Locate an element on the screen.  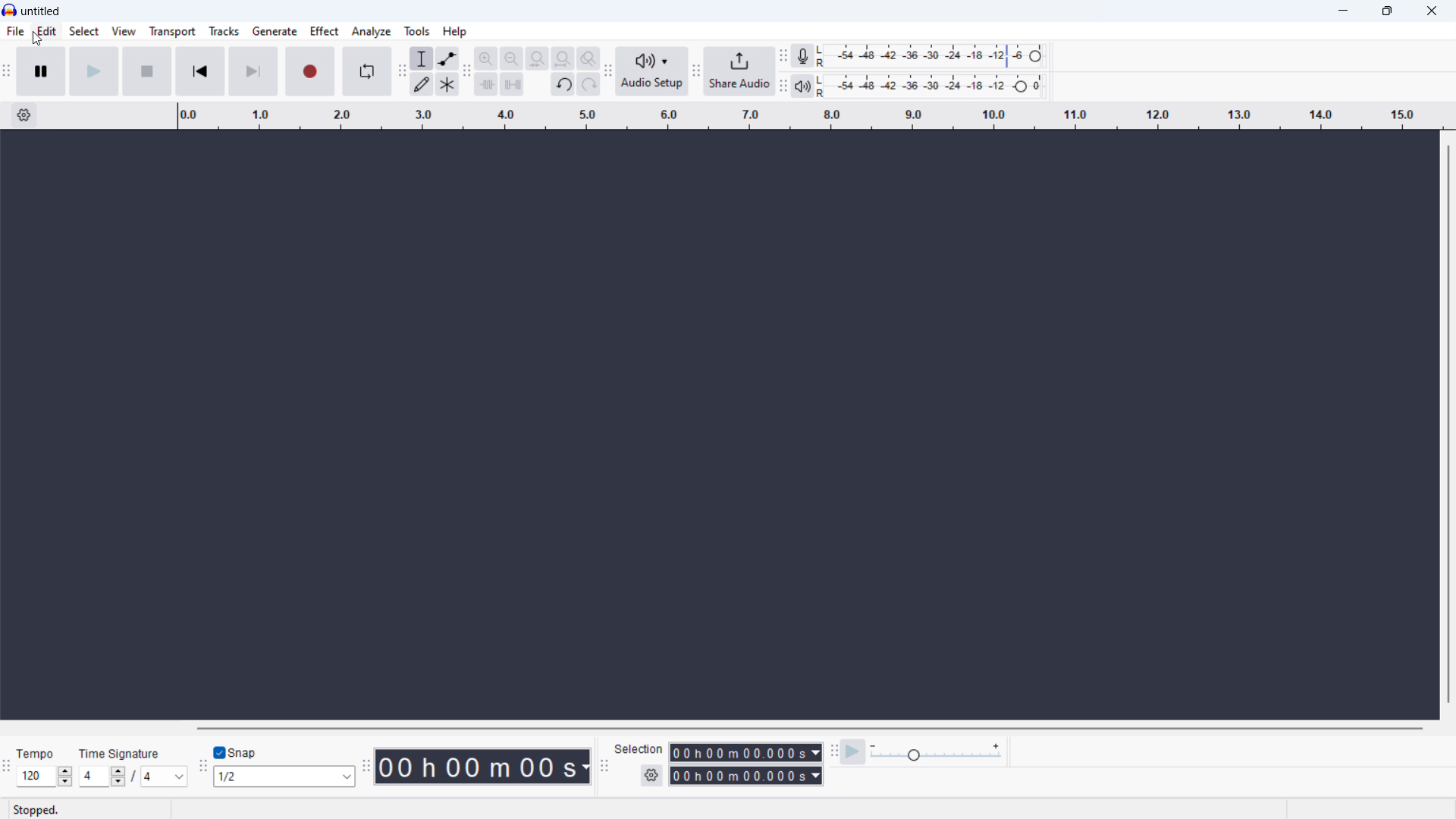
selection toolbar is located at coordinates (604, 767).